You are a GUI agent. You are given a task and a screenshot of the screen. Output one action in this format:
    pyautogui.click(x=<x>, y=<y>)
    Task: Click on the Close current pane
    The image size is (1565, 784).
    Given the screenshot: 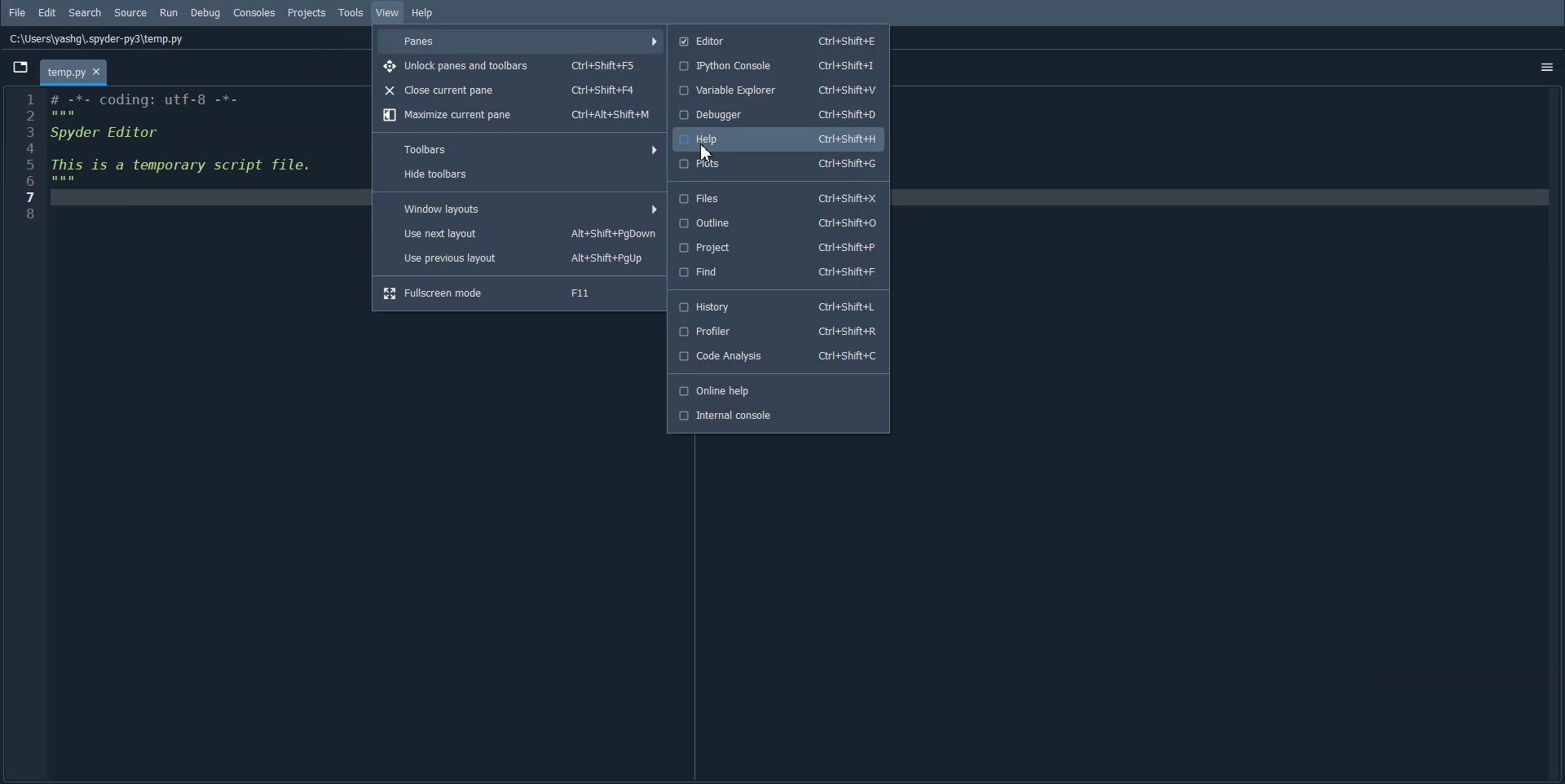 What is the action you would take?
    pyautogui.click(x=518, y=90)
    